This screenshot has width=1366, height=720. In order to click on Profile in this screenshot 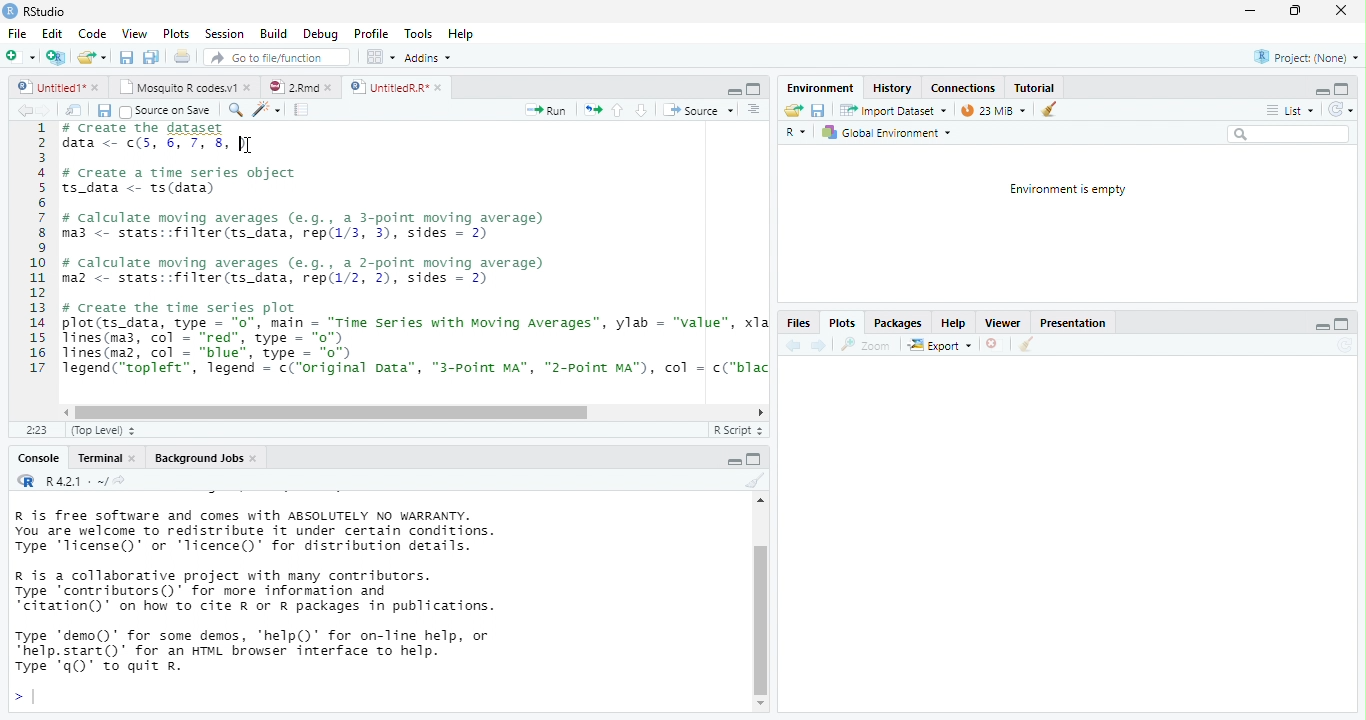, I will do `click(371, 34)`.